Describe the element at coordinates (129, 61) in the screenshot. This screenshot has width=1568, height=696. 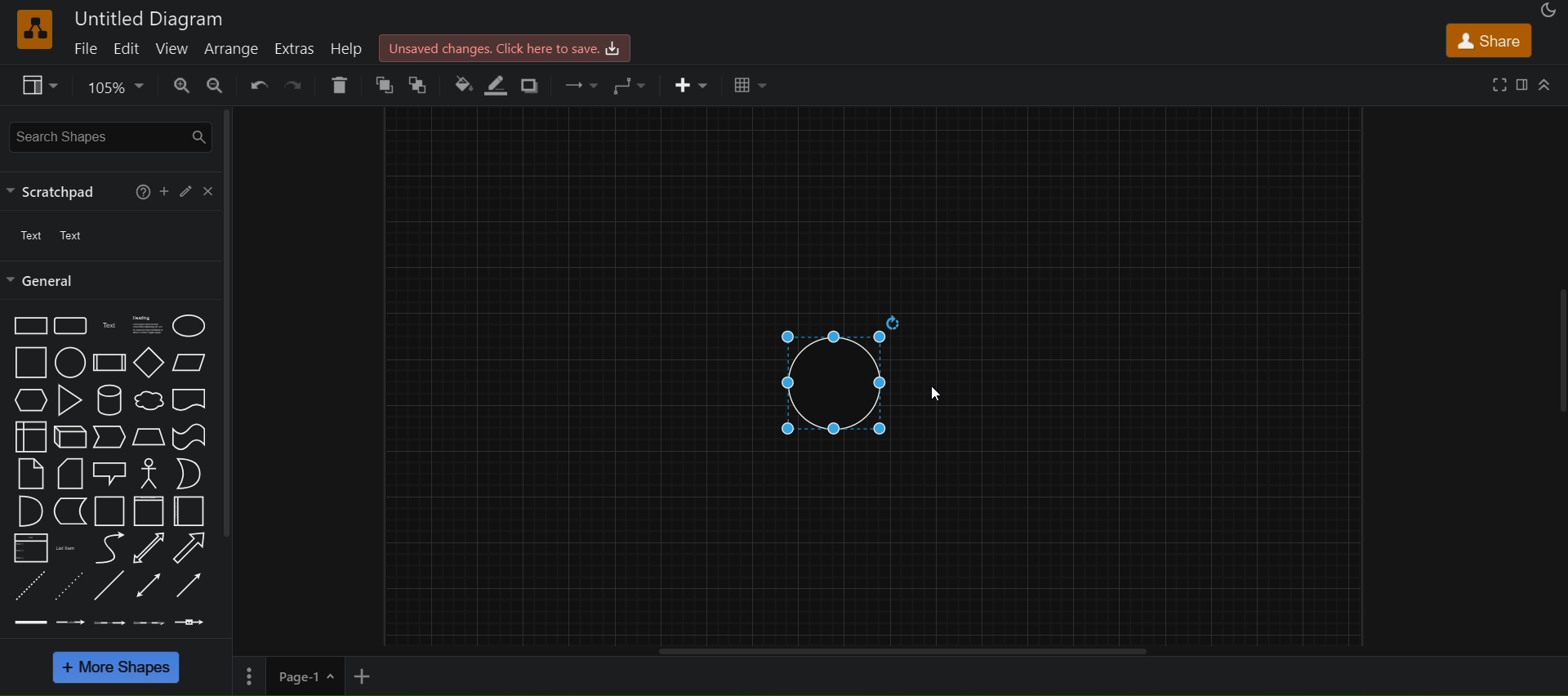
I see `cursor` at that location.